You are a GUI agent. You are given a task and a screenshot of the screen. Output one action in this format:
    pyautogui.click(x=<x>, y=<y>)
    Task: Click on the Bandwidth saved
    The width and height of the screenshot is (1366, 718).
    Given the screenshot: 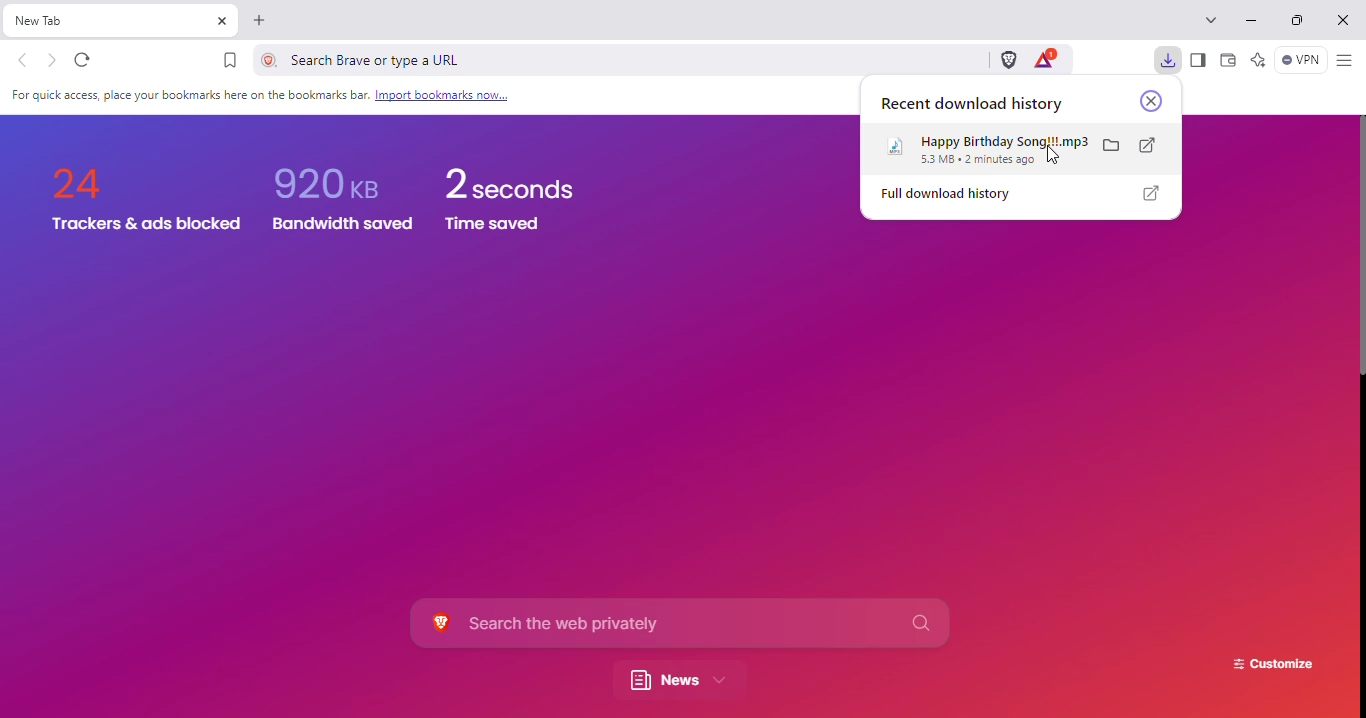 What is the action you would take?
    pyautogui.click(x=338, y=224)
    